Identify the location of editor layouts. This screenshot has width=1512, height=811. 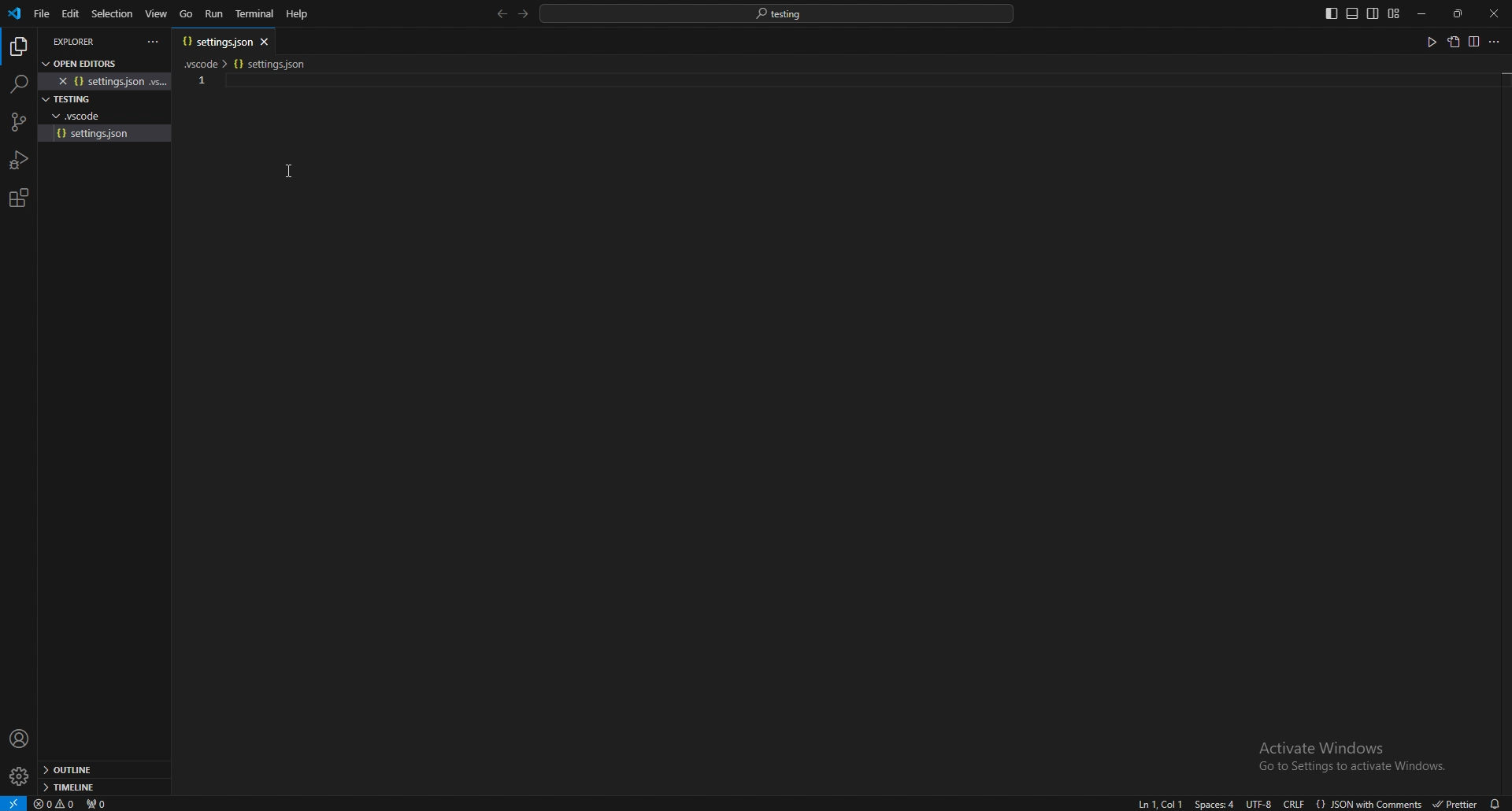
(1362, 13).